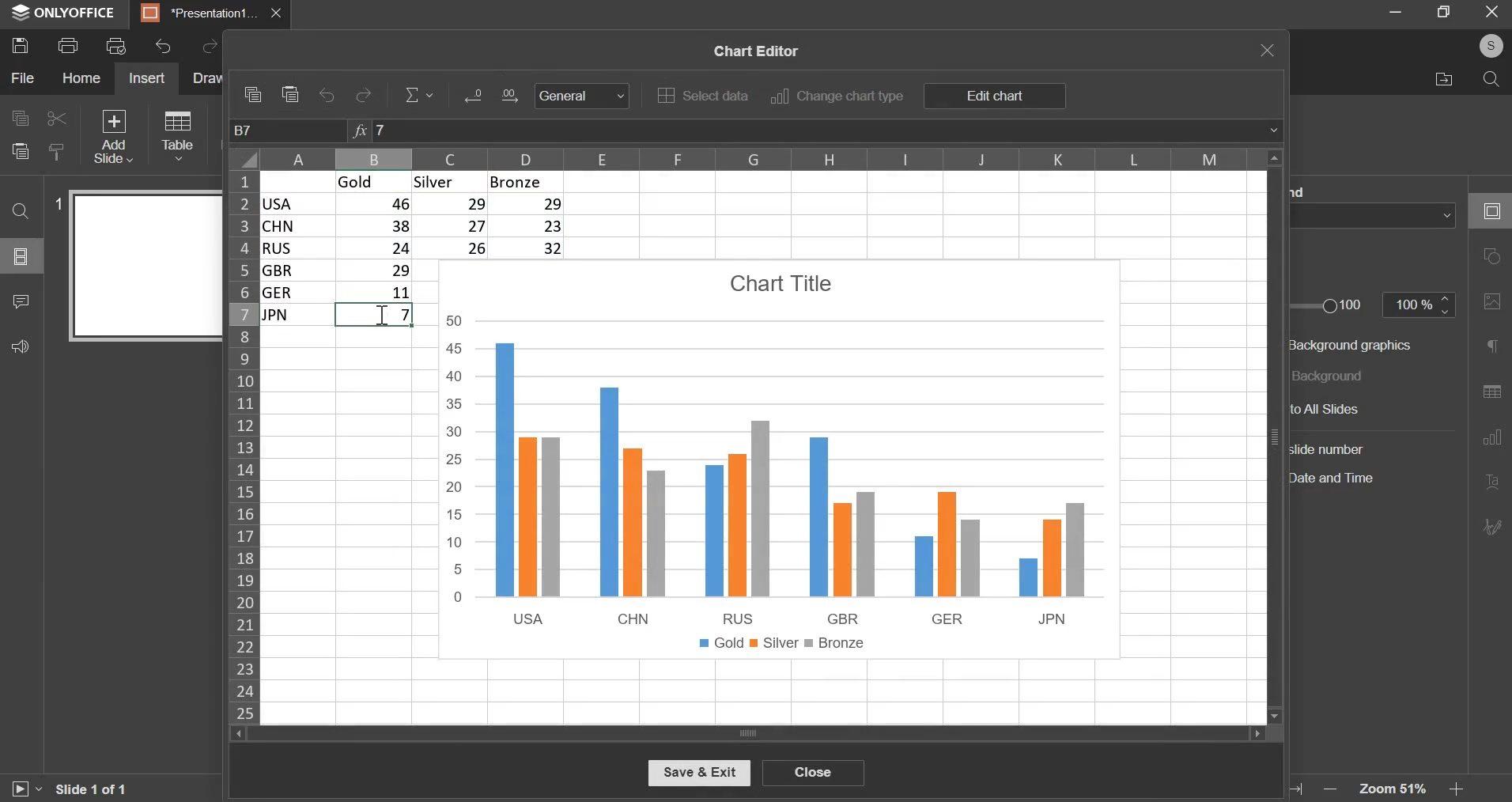 The width and height of the screenshot is (1512, 802). Describe the element at coordinates (453, 206) in the screenshot. I see `29` at that location.